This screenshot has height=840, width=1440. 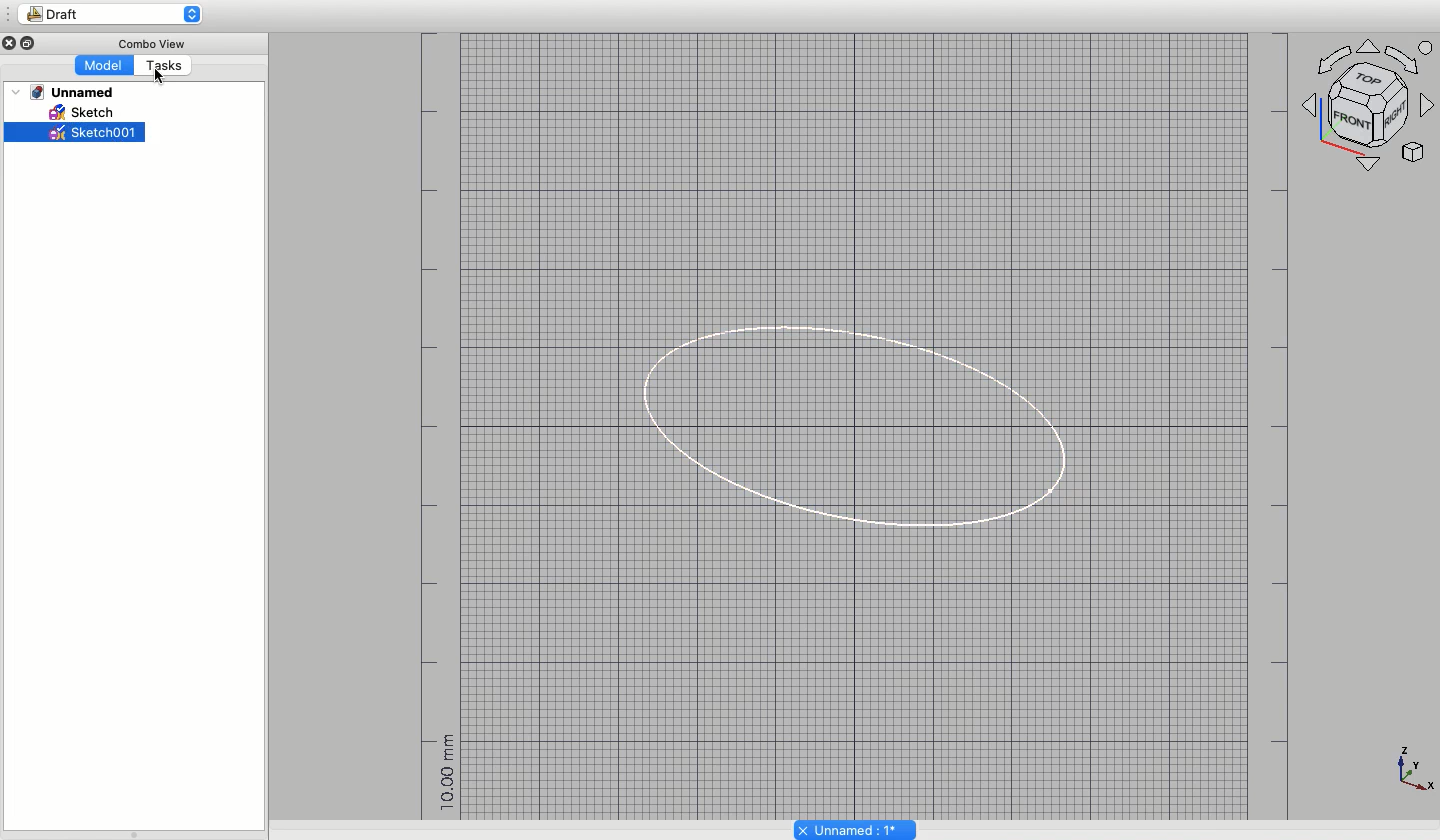 I want to click on Oval, so click(x=848, y=421).